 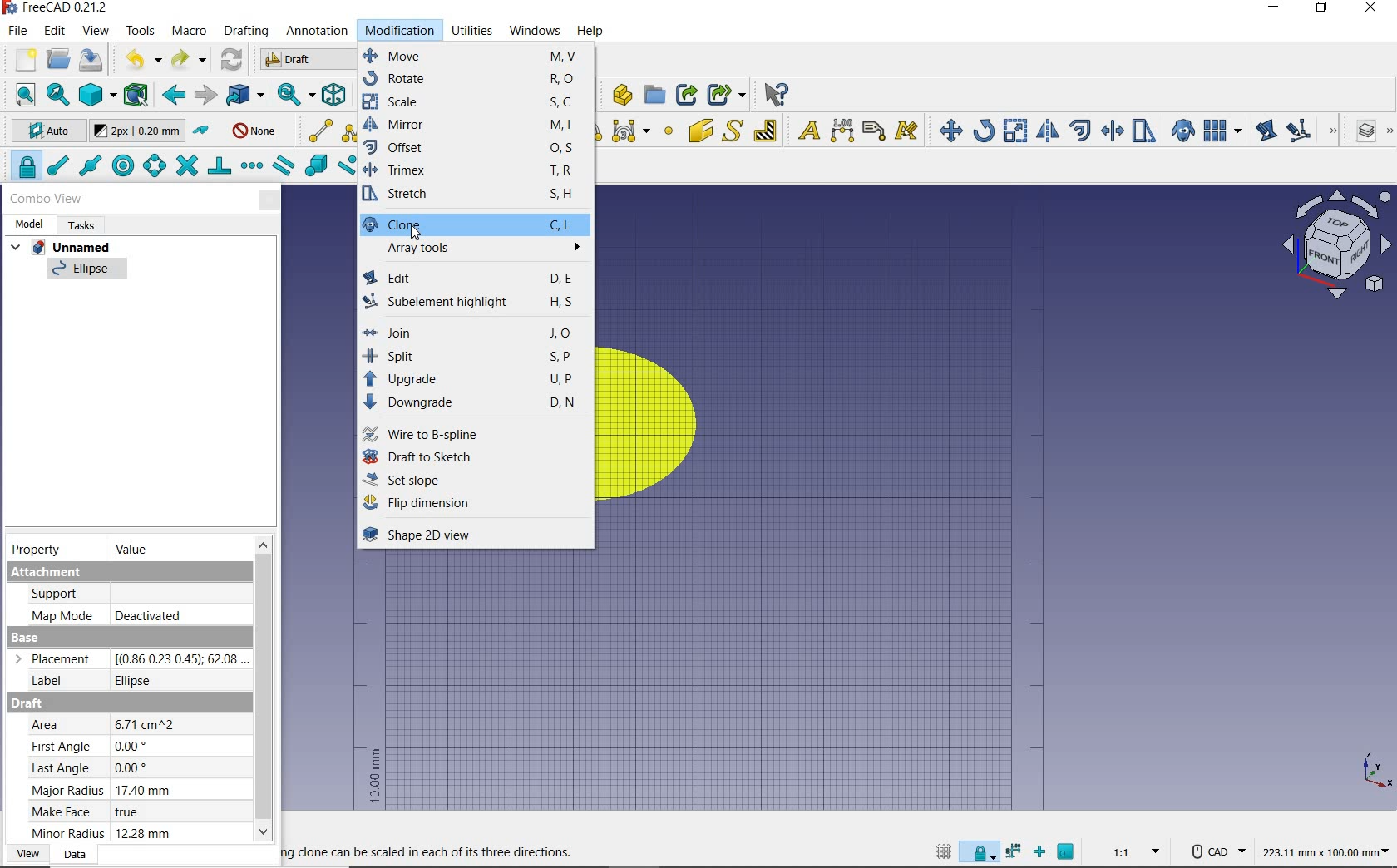 I want to click on snap working plane, so click(x=1068, y=851).